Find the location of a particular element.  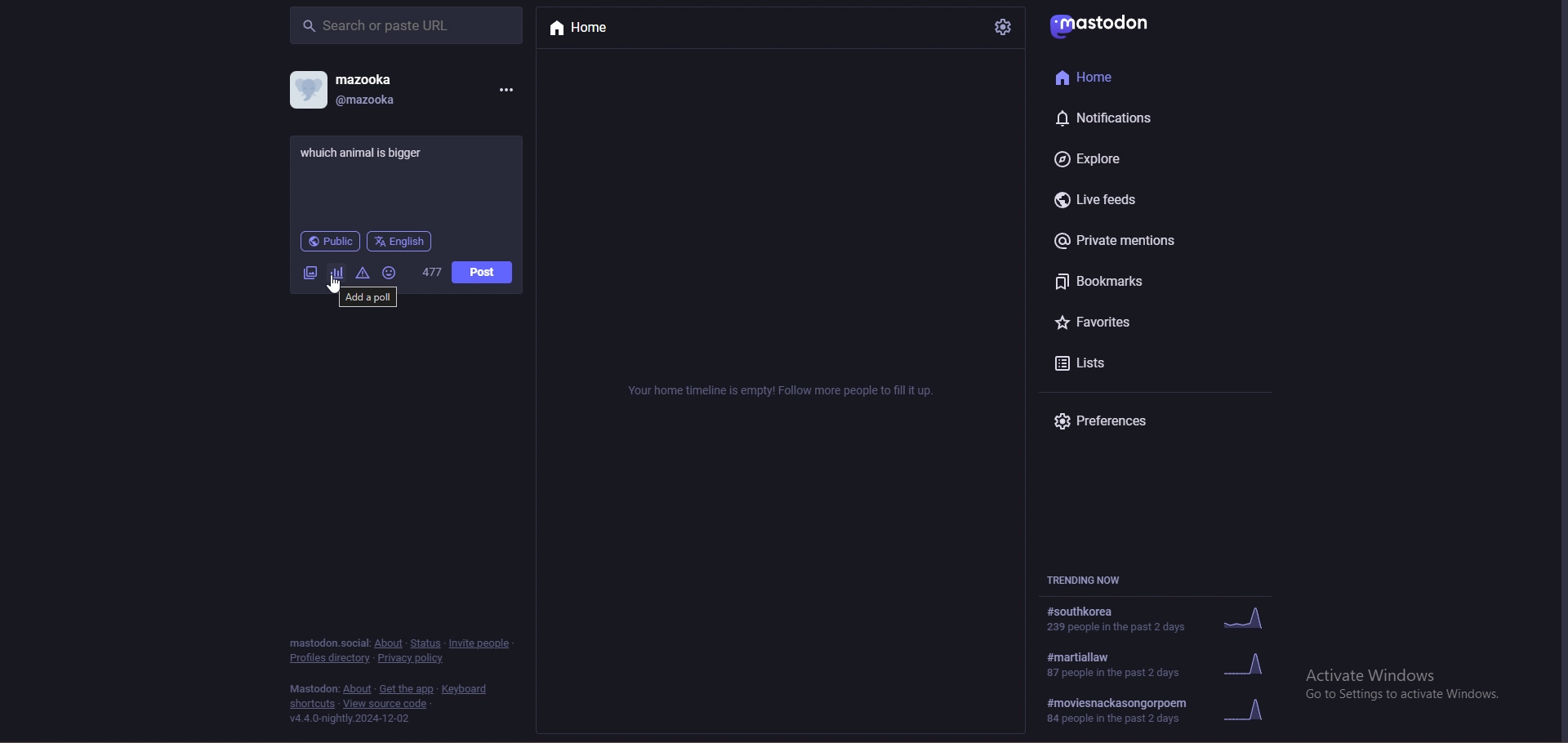

trend is located at coordinates (1166, 665).